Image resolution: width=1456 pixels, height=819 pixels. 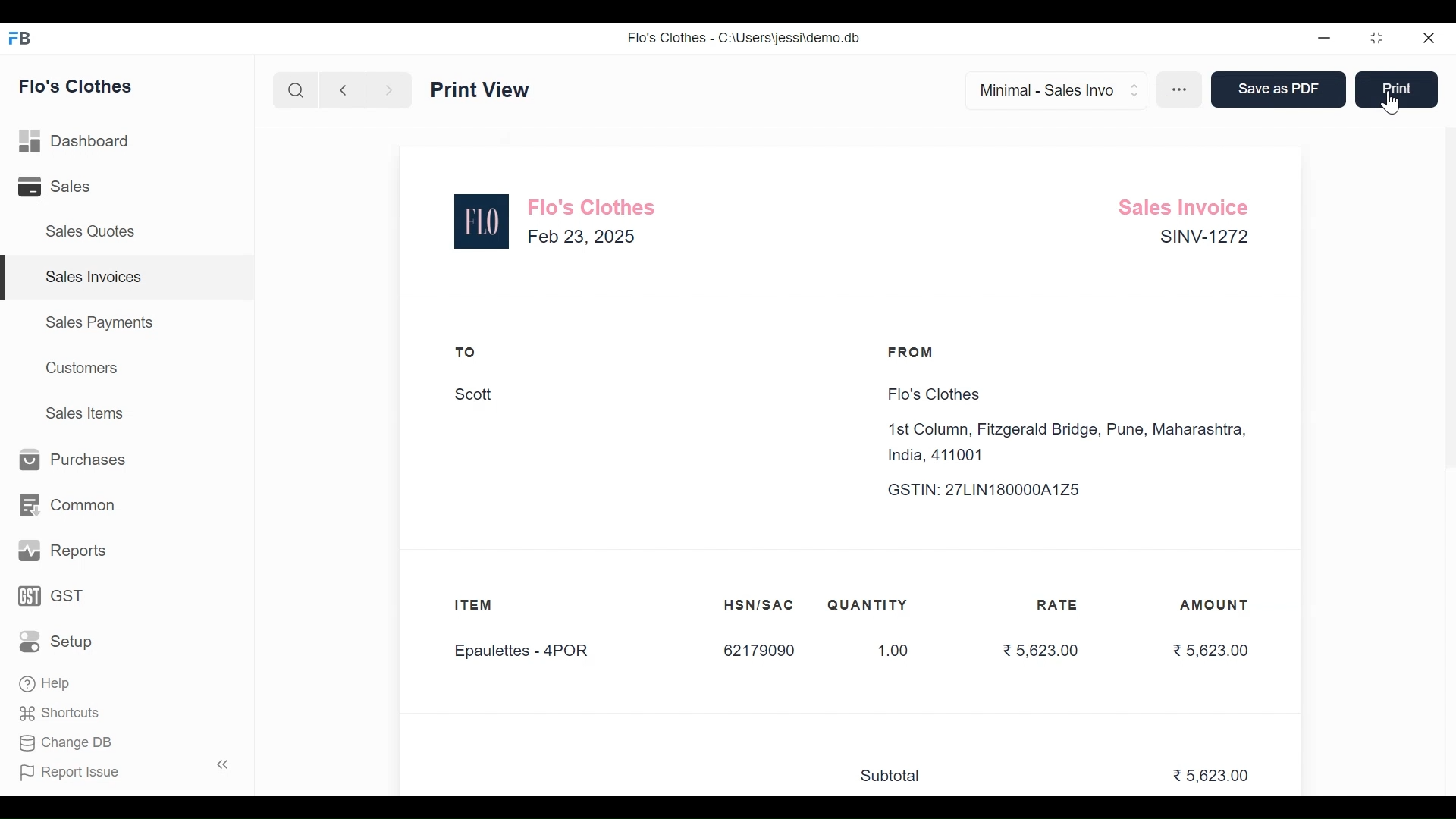 What do you see at coordinates (1392, 104) in the screenshot?
I see `cursor` at bounding box center [1392, 104].